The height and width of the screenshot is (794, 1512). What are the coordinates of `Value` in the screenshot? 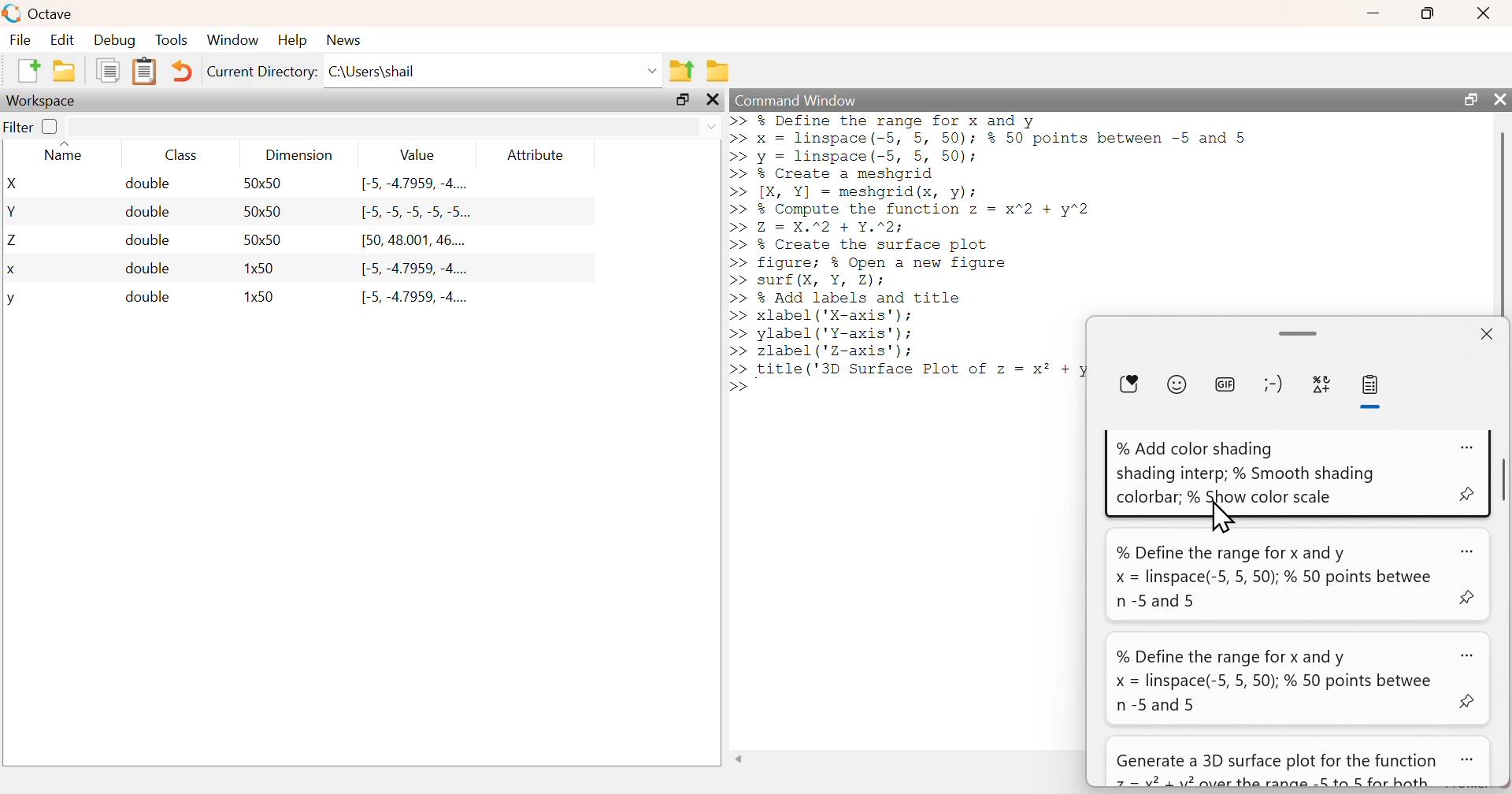 It's located at (417, 154).